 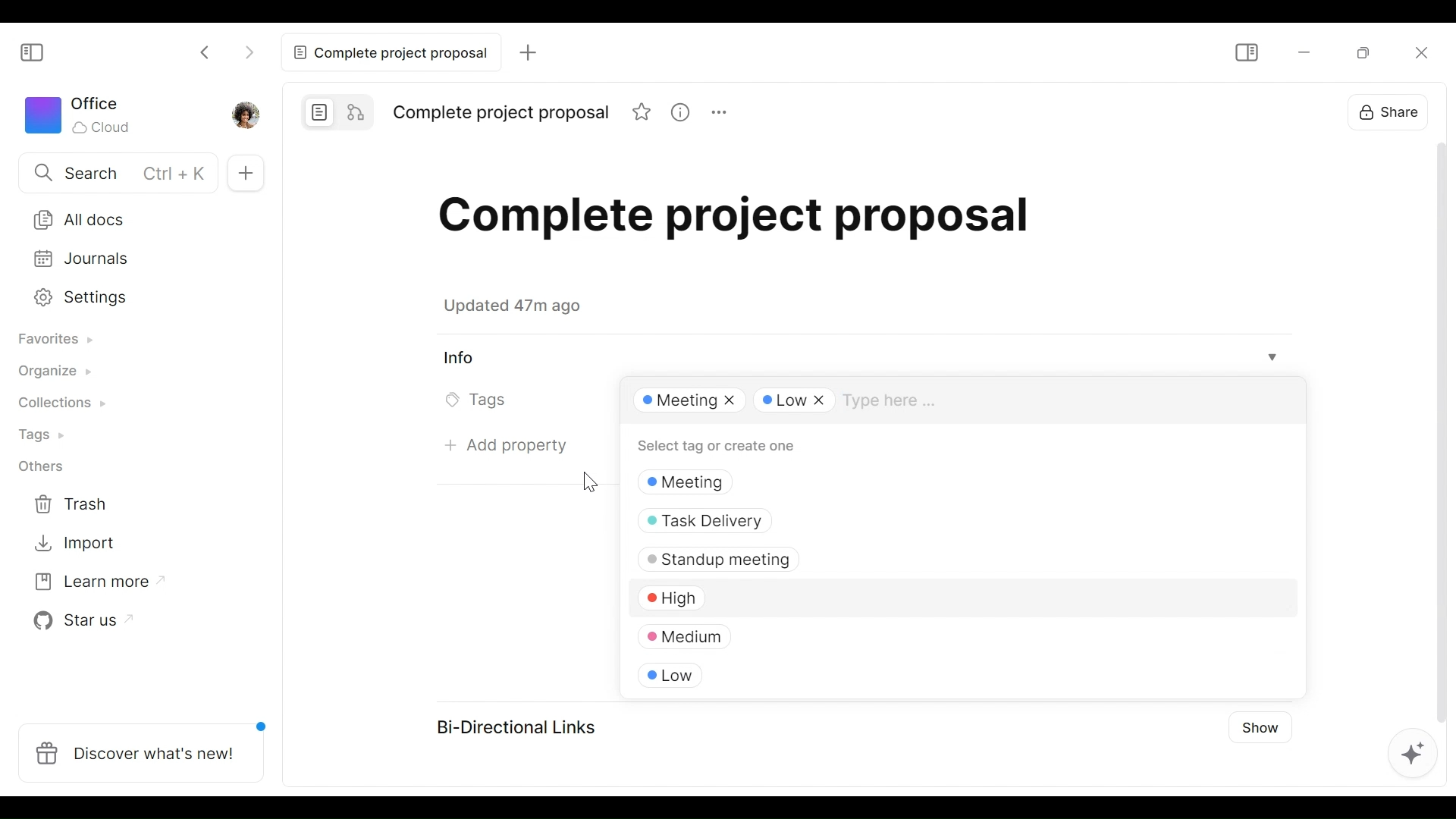 What do you see at coordinates (142, 751) in the screenshot?
I see `Discover what's new` at bounding box center [142, 751].